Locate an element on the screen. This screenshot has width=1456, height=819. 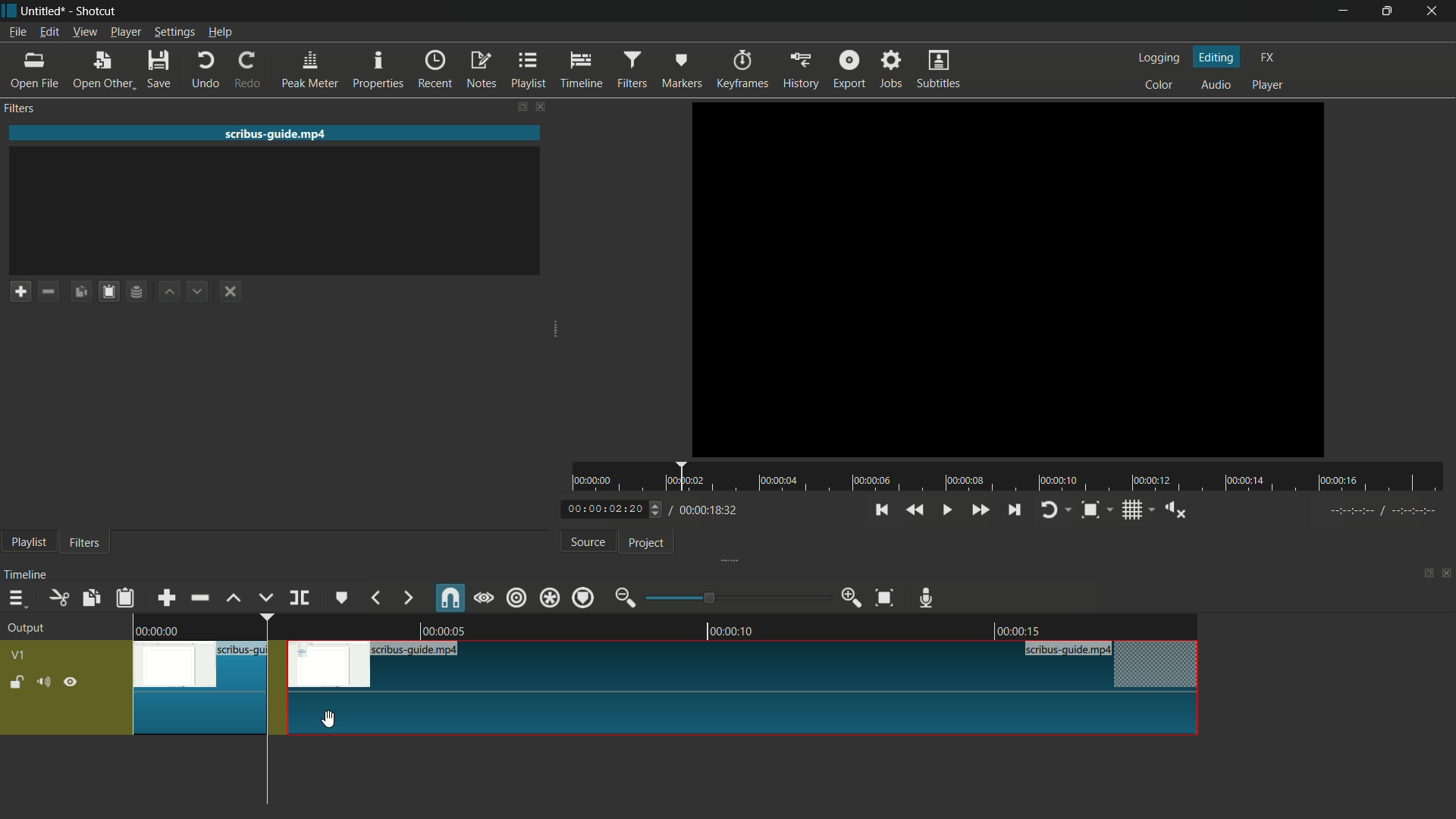
previous marker is located at coordinates (376, 597).